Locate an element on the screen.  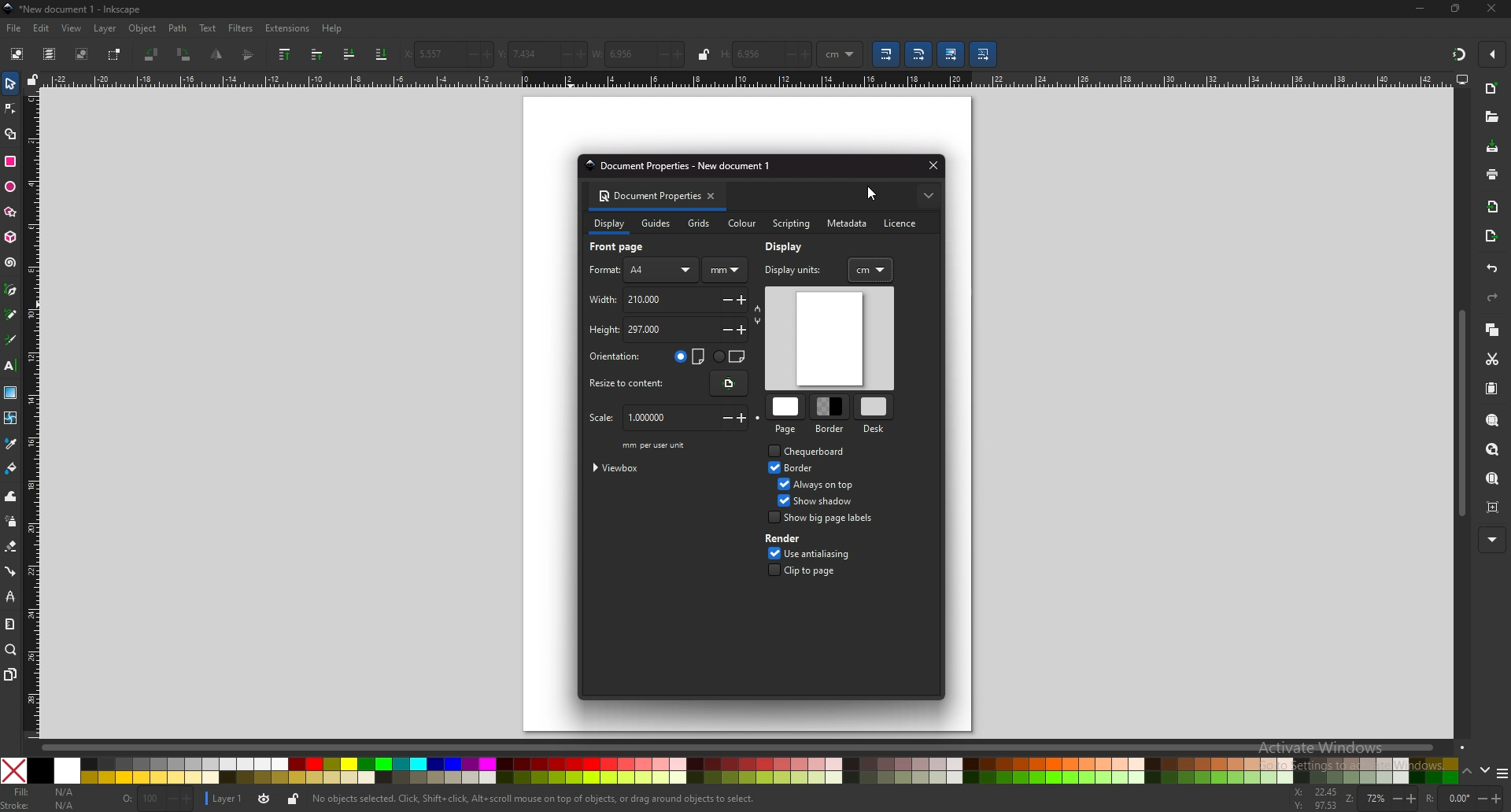
text is located at coordinates (11, 364).